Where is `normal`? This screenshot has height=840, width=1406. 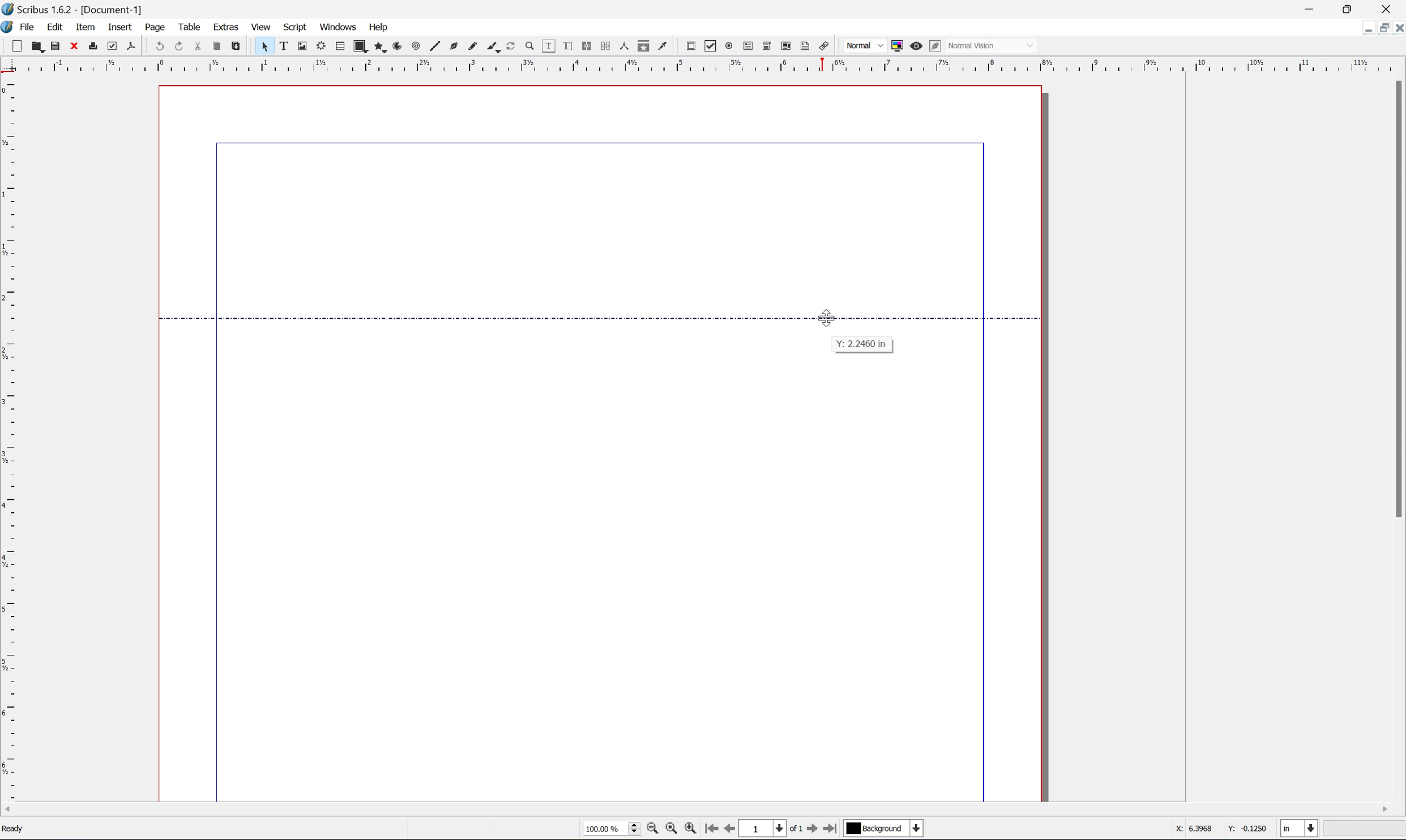 normal is located at coordinates (866, 47).